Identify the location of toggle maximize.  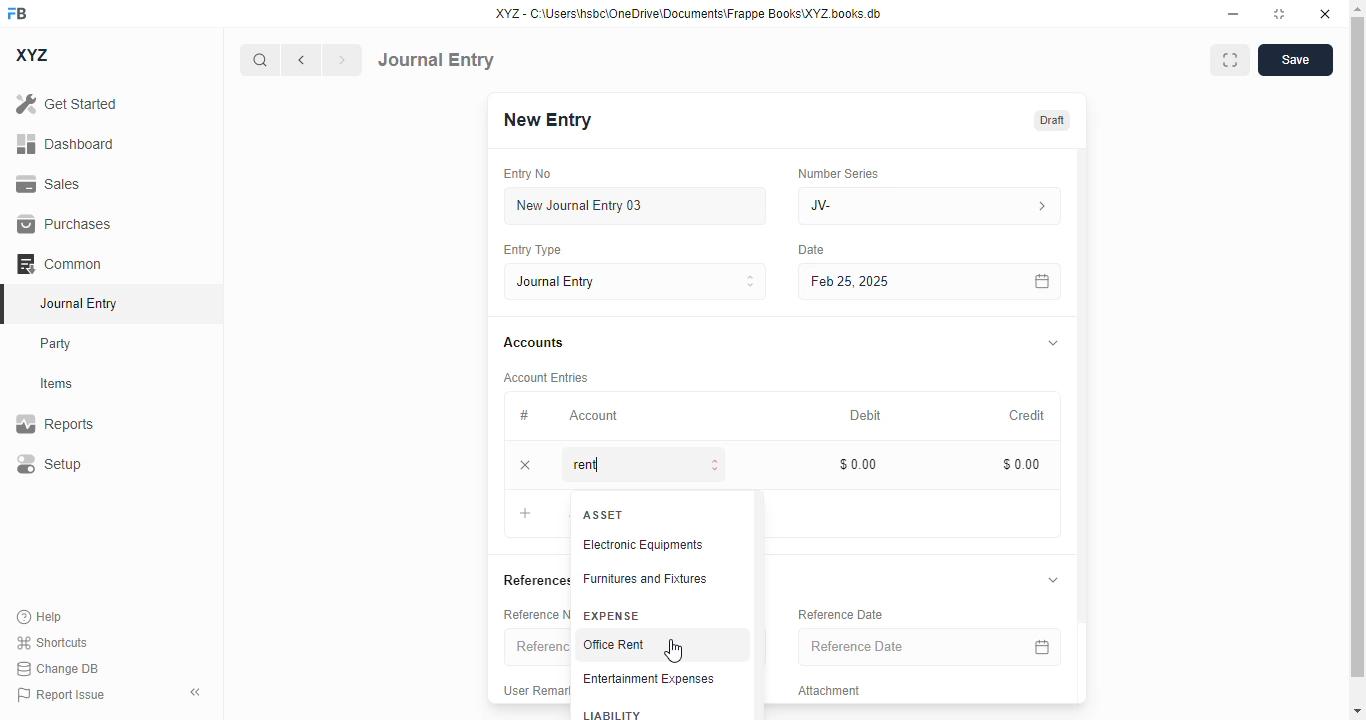
(1278, 14).